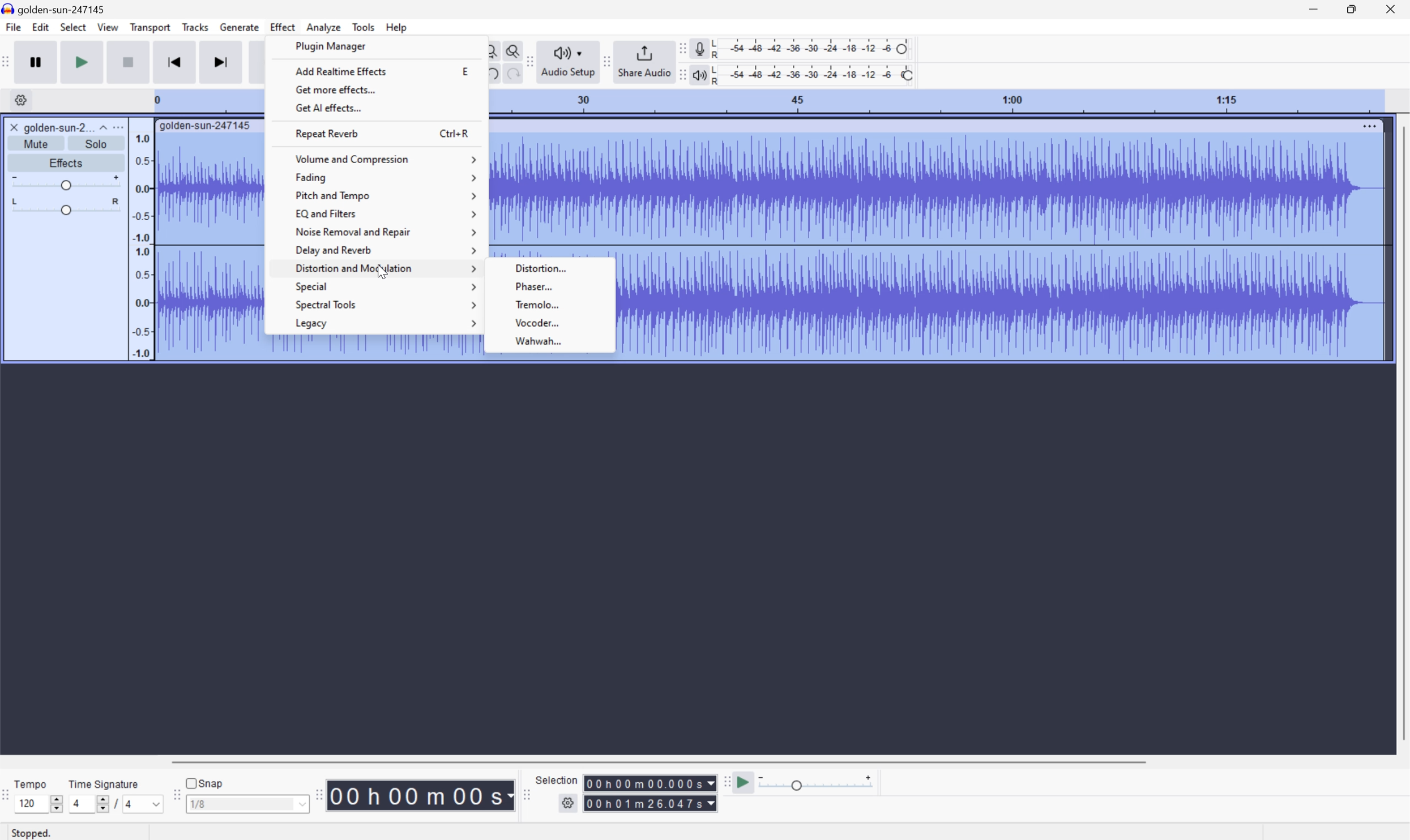 This screenshot has width=1410, height=840. I want to click on Skip to end, so click(220, 63).